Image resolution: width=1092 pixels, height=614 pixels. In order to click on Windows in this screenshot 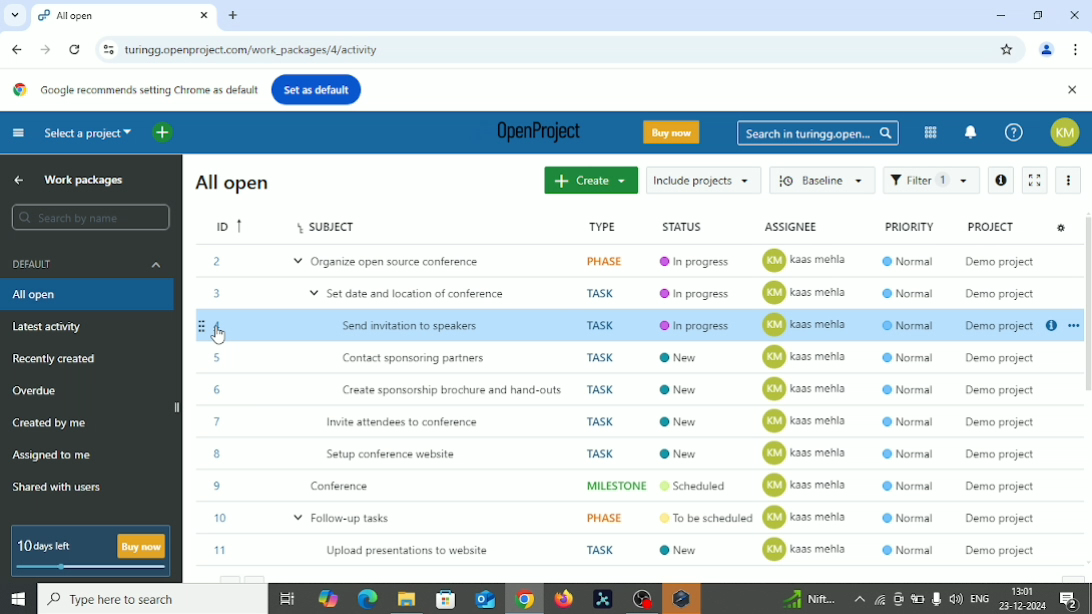, I will do `click(17, 600)`.